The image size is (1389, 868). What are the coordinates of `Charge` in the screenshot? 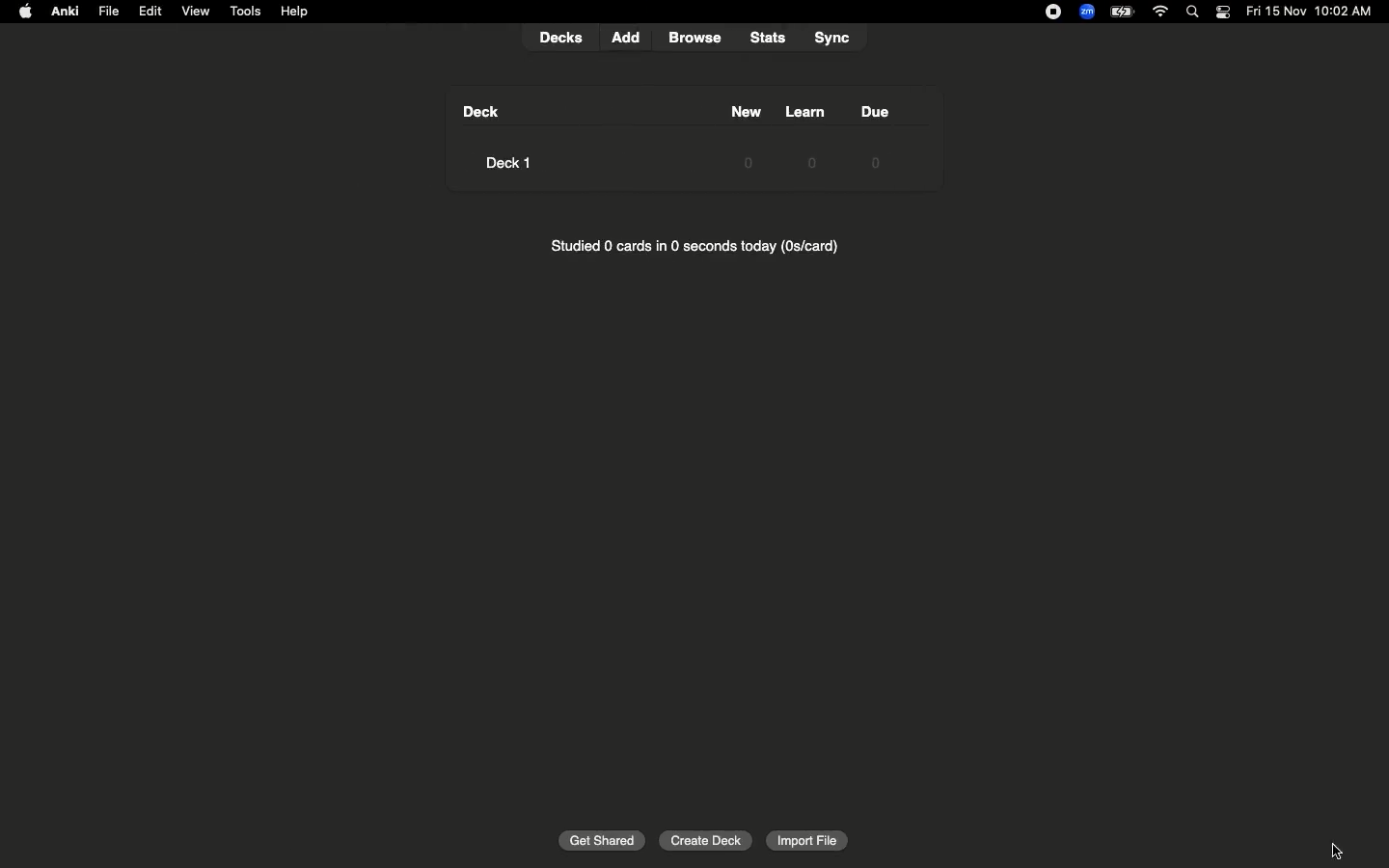 It's located at (1121, 12).